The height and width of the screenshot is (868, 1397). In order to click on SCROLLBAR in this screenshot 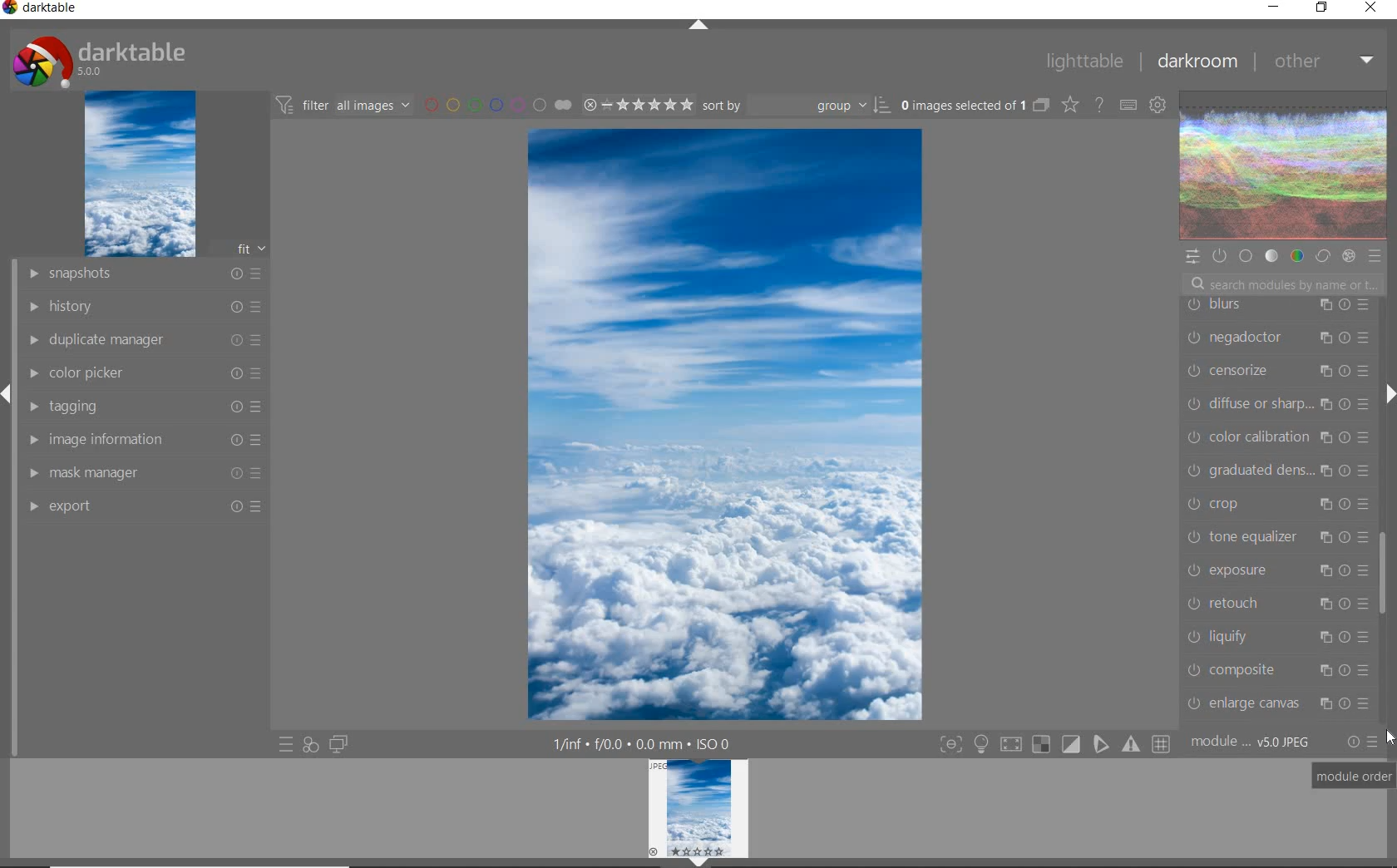, I will do `click(1385, 336)`.